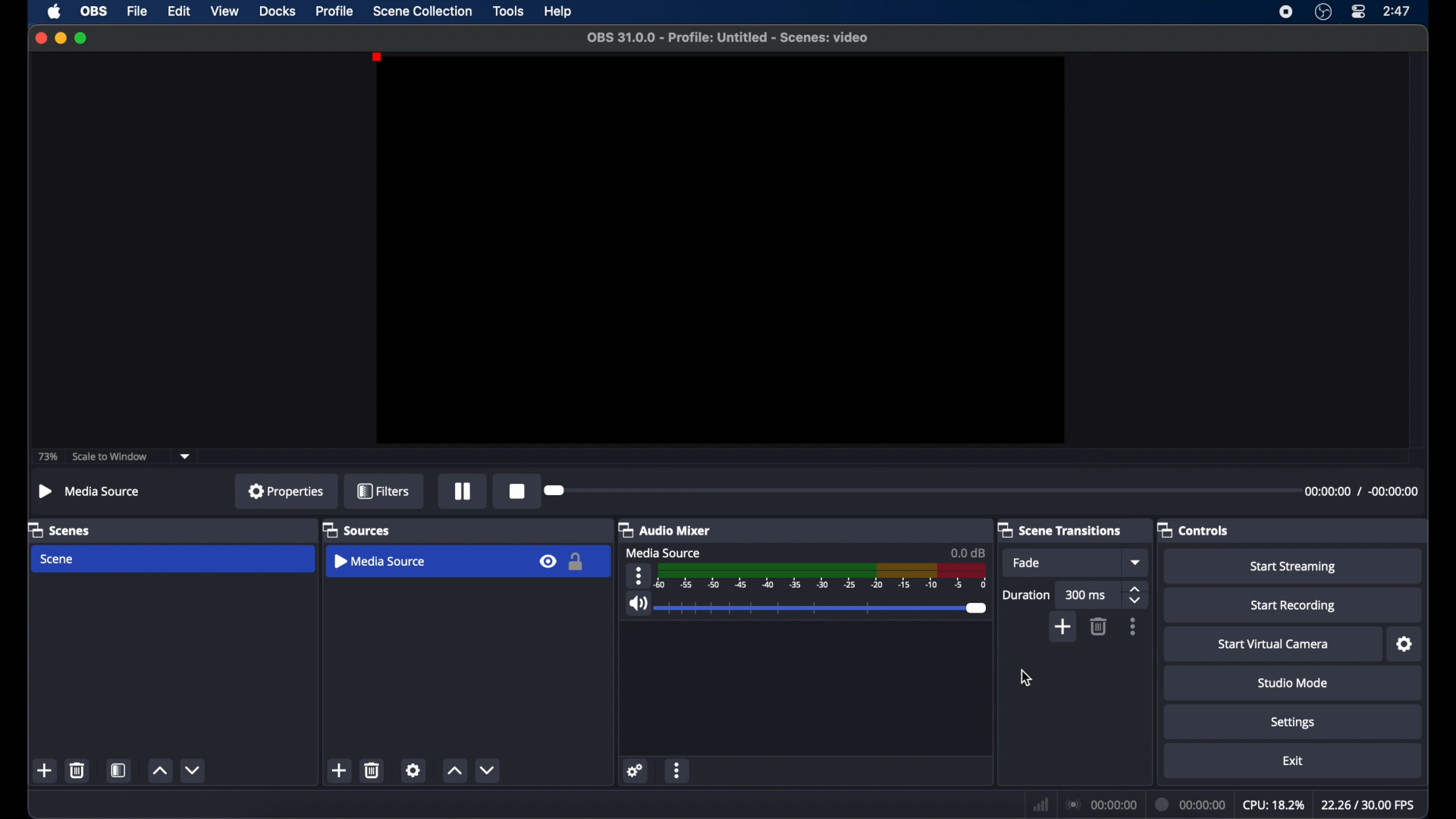  Describe the element at coordinates (372, 770) in the screenshot. I see `delete` at that location.